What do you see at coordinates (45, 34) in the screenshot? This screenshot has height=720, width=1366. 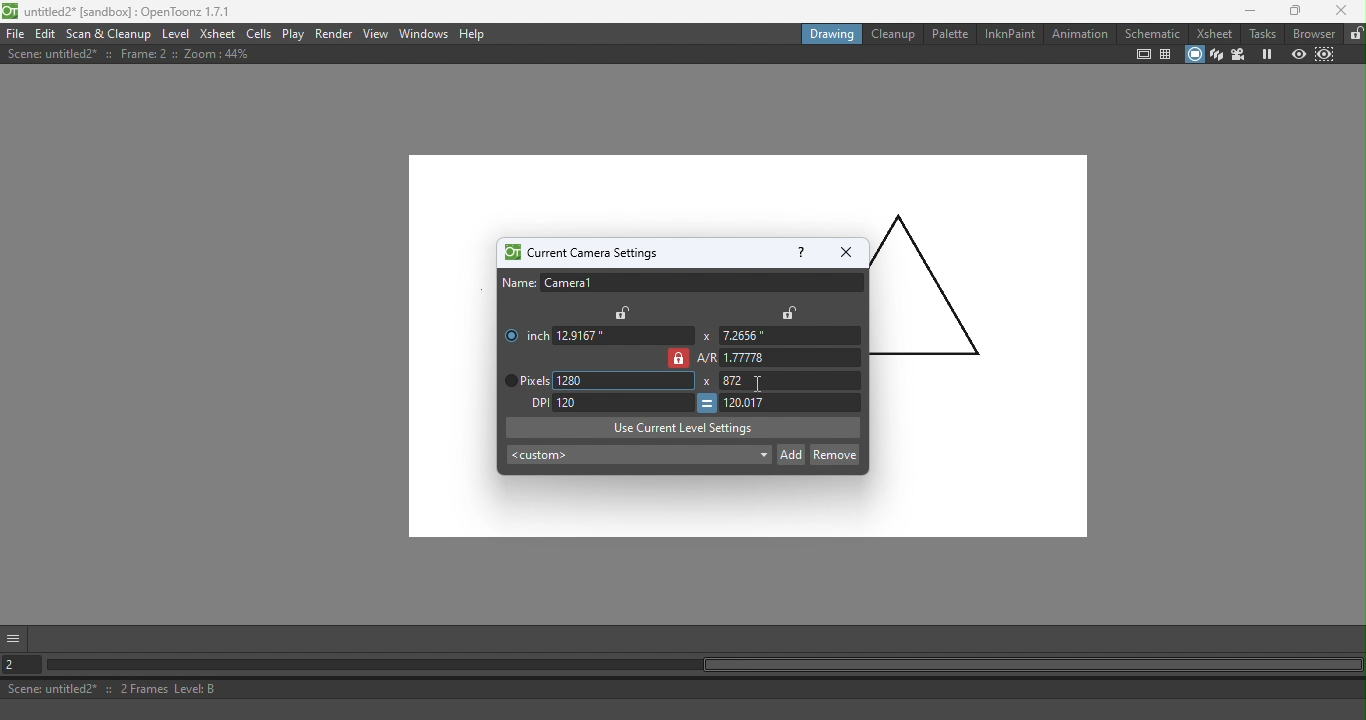 I see `Edit` at bounding box center [45, 34].